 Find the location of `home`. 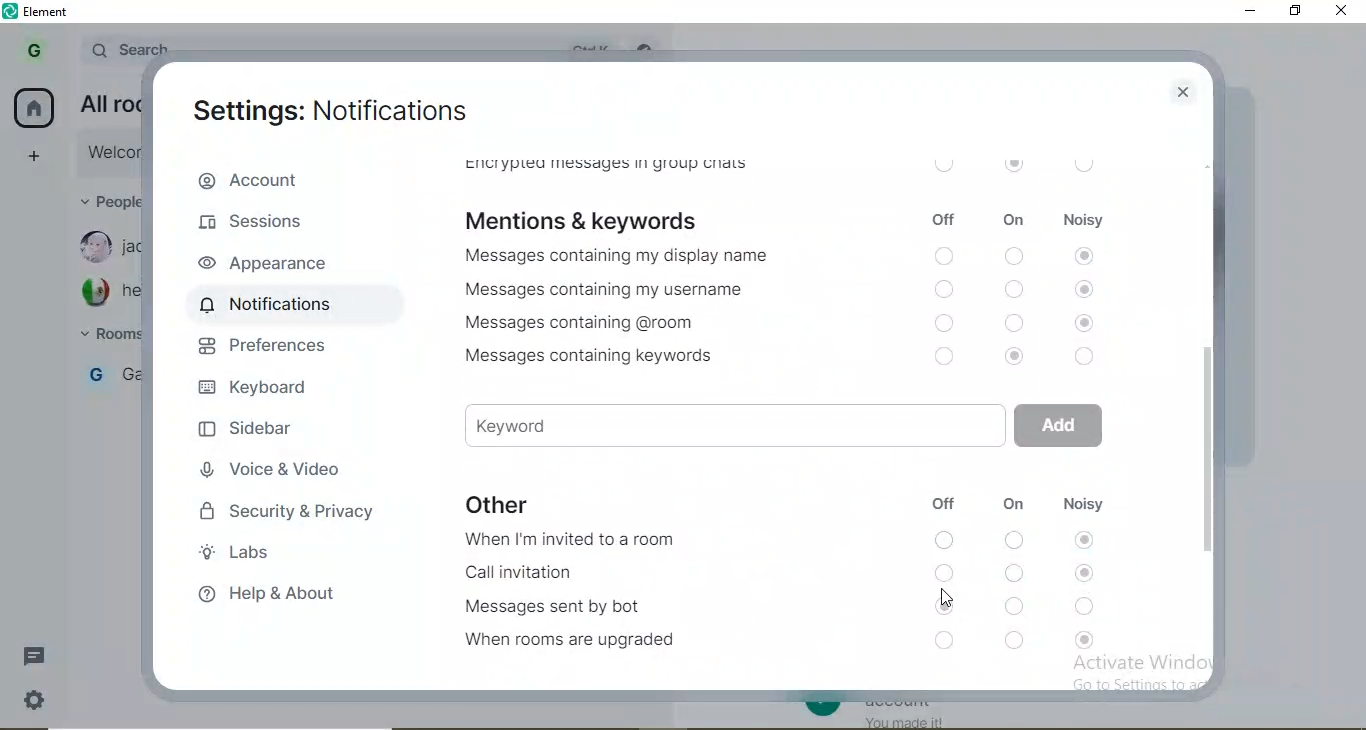

home is located at coordinates (32, 107).